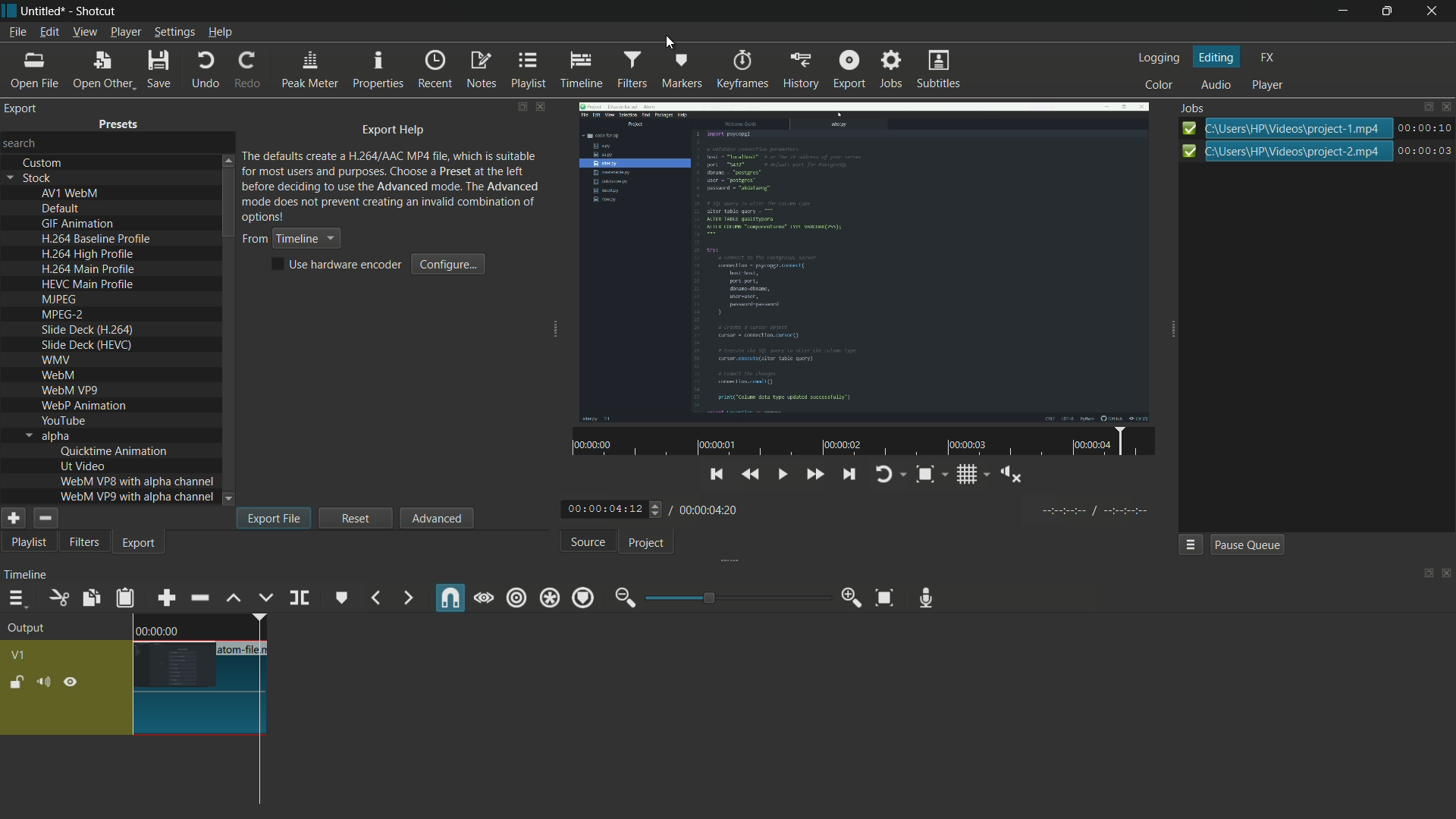 The height and width of the screenshot is (819, 1456). What do you see at coordinates (63, 420) in the screenshot?
I see `youtube` at bounding box center [63, 420].